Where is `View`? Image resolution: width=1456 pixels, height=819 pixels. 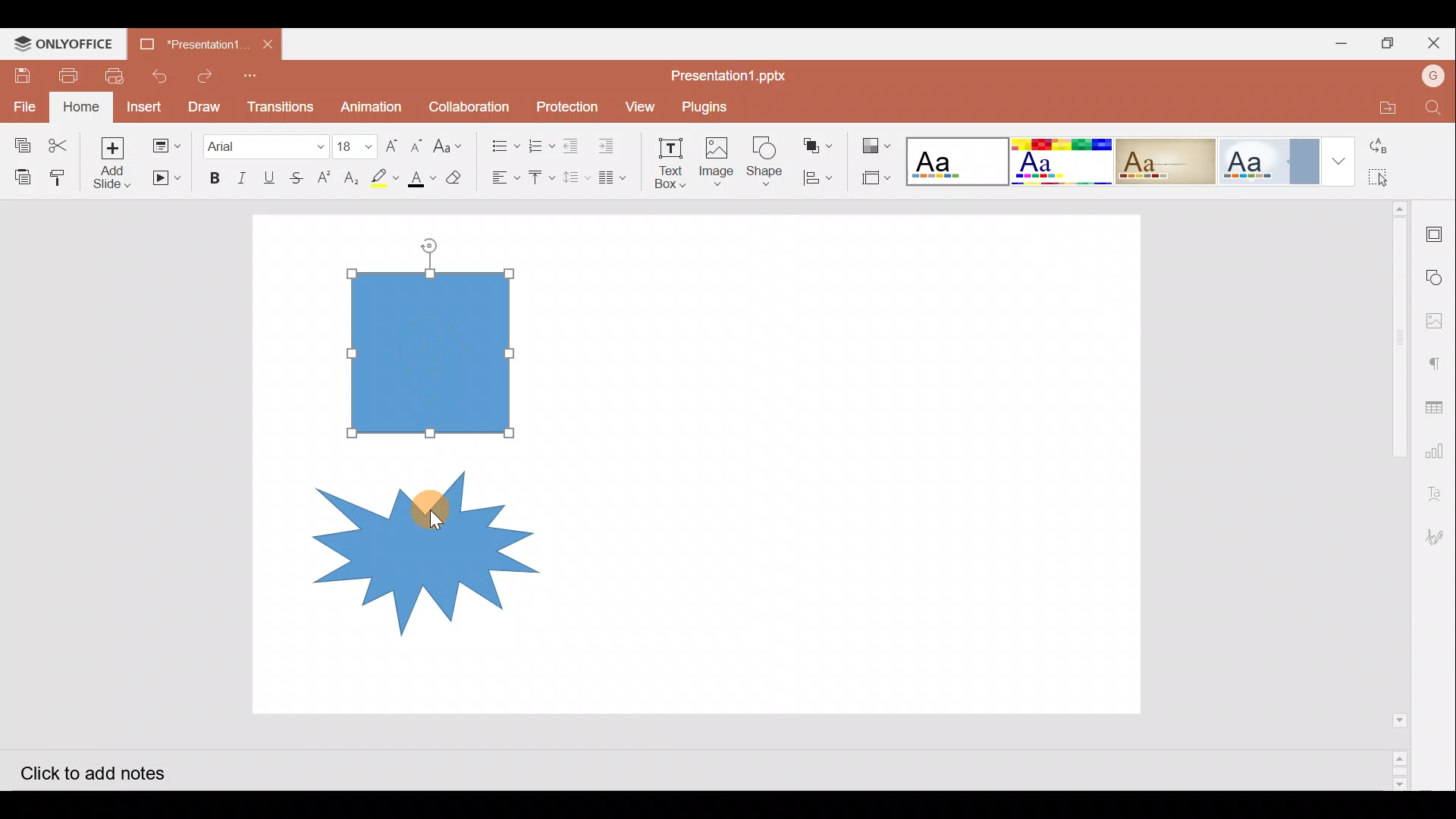
View is located at coordinates (638, 105).